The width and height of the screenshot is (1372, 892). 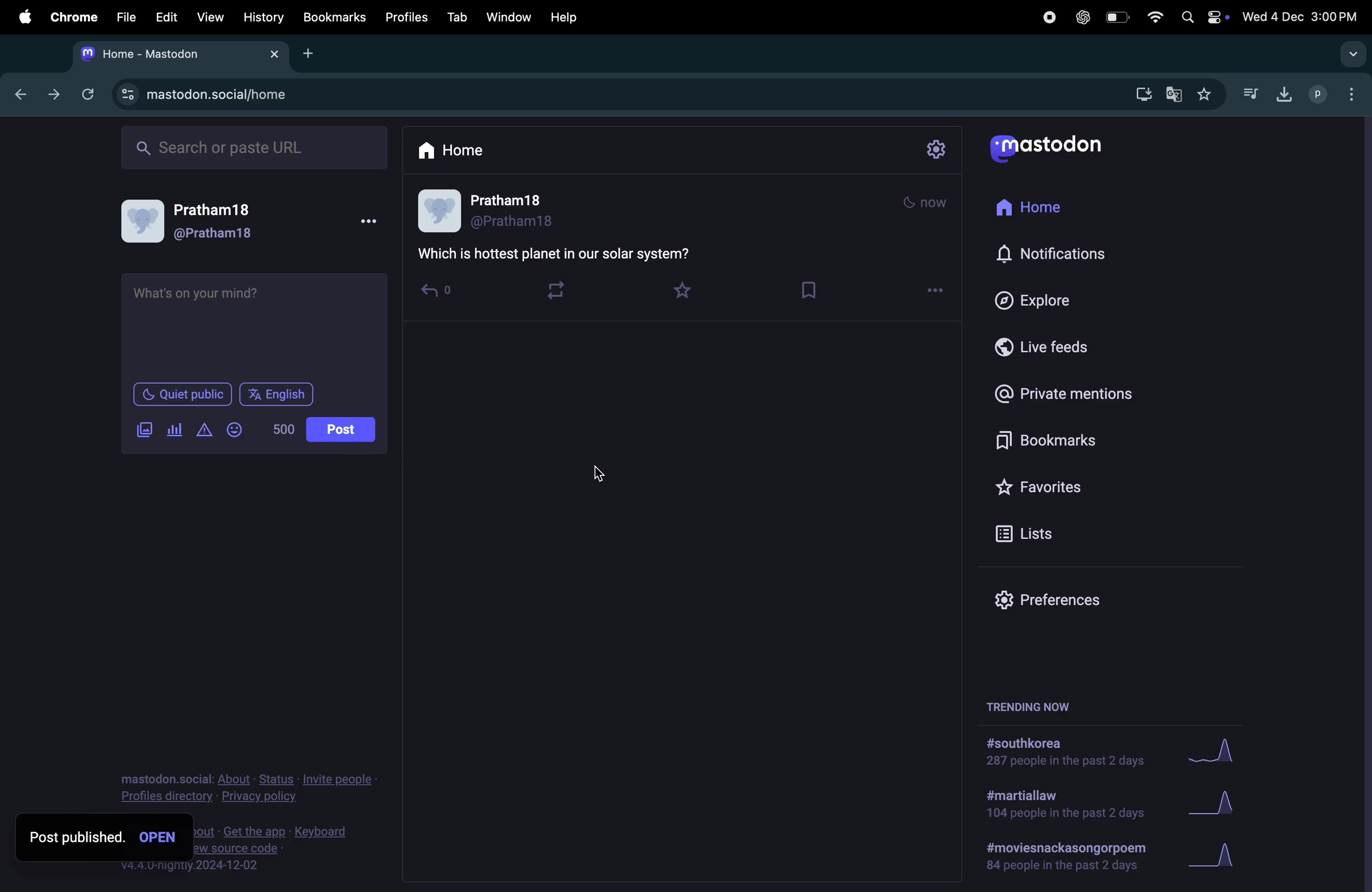 I want to click on Bookmark, so click(x=1071, y=439).